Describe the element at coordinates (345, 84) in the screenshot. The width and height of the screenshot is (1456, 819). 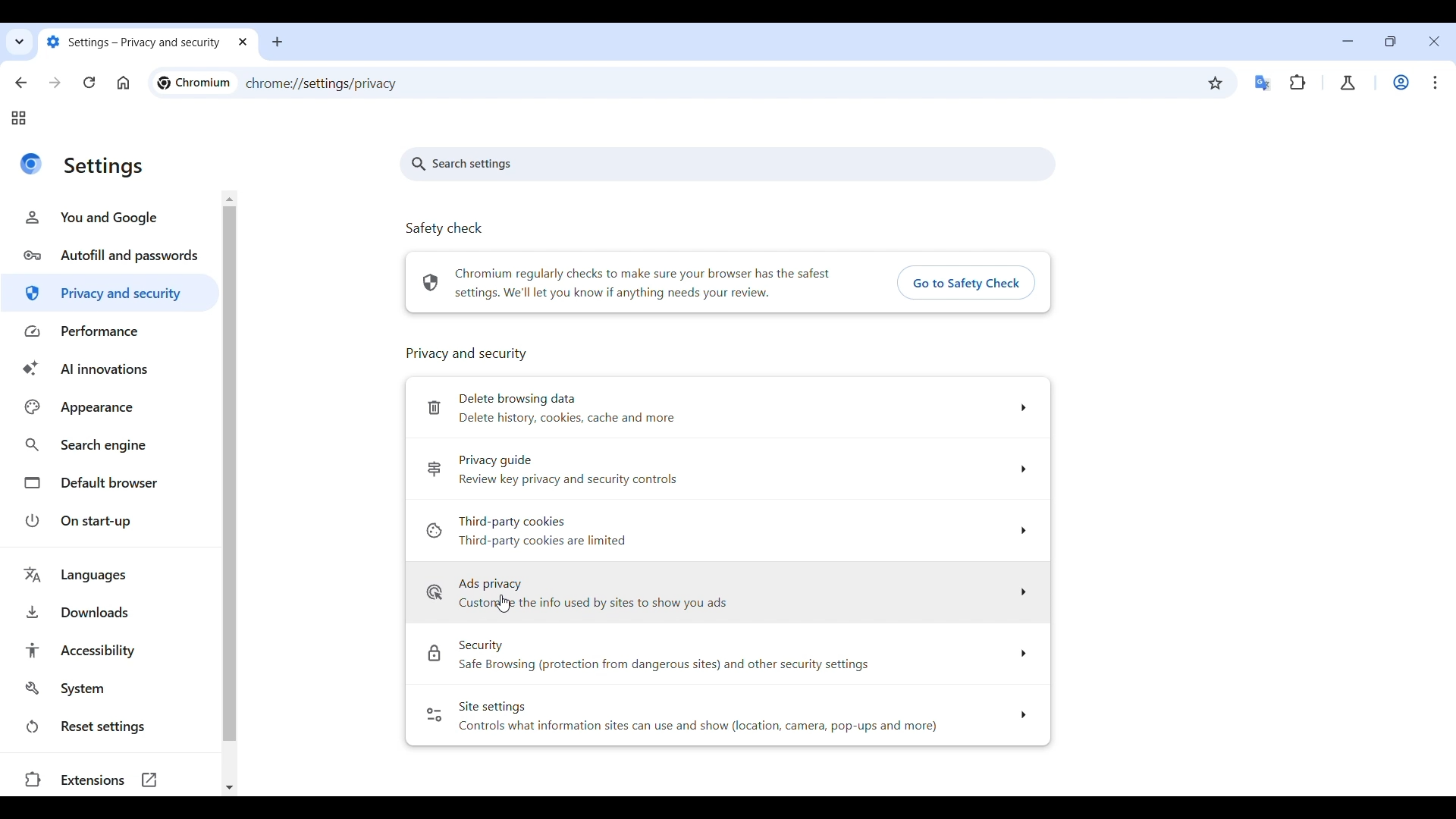
I see `Web link of current page` at that location.